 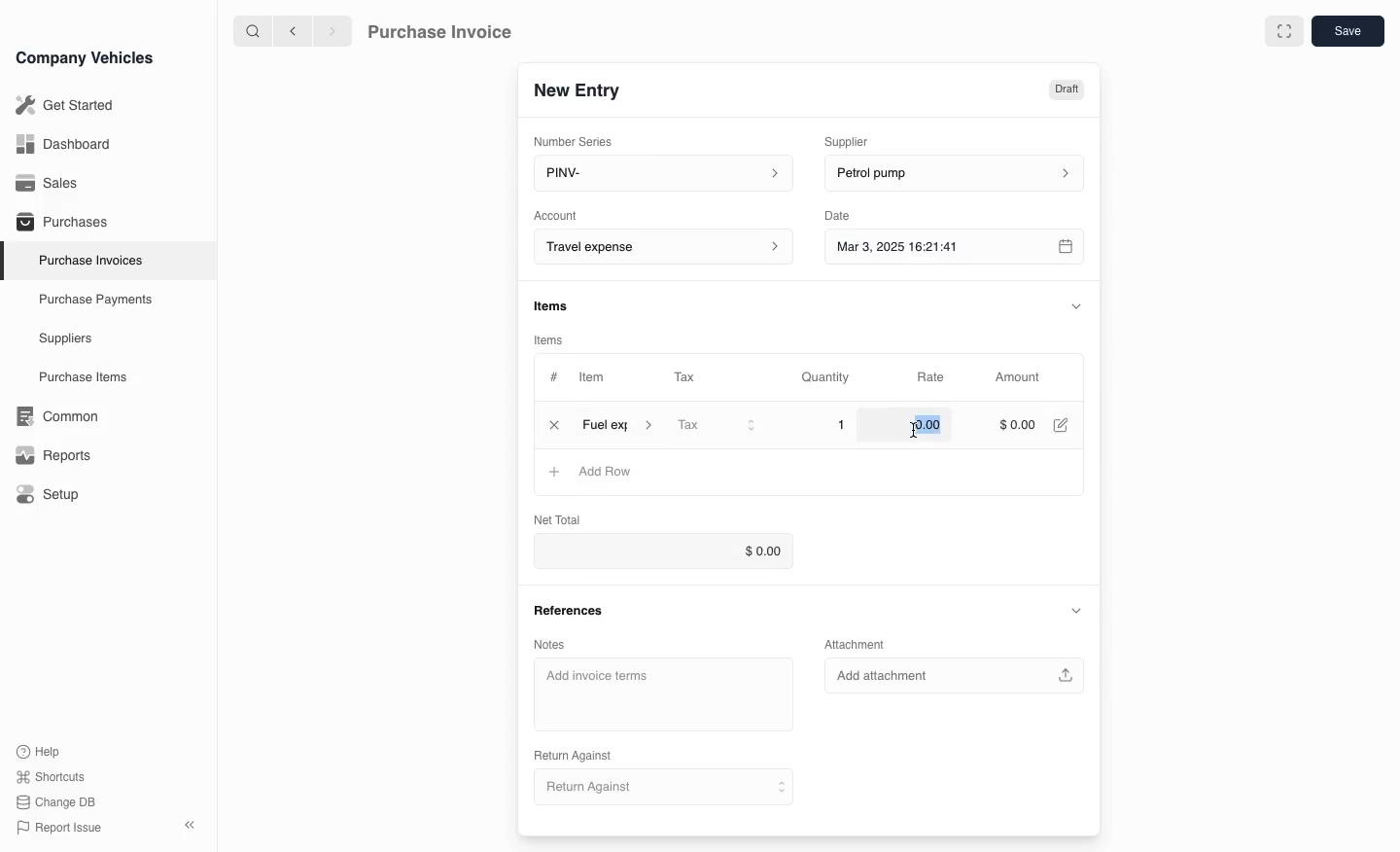 What do you see at coordinates (660, 788) in the screenshot?
I see `Return Against` at bounding box center [660, 788].